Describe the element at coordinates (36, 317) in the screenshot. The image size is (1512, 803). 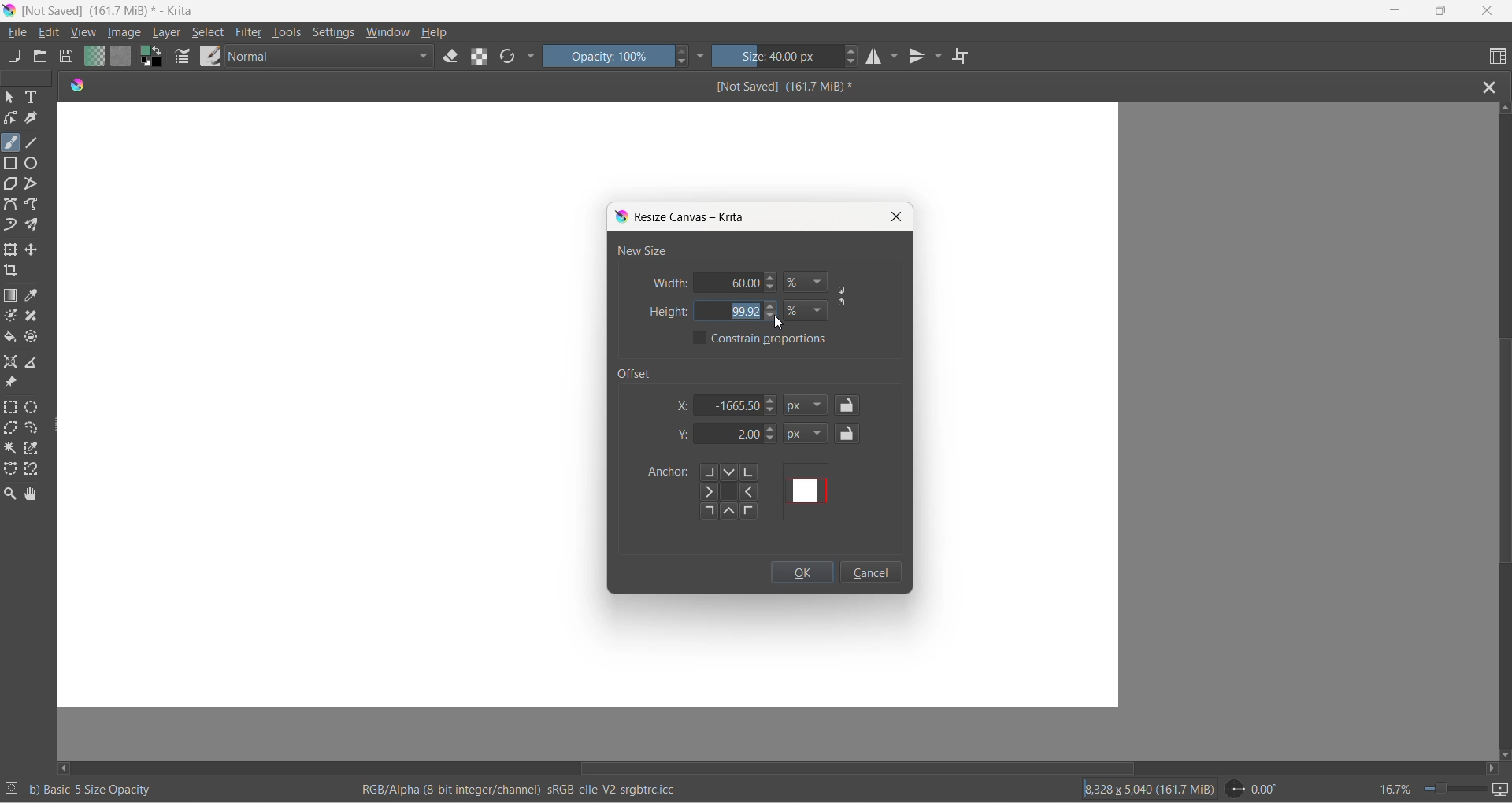
I see `smart patch tool` at that location.